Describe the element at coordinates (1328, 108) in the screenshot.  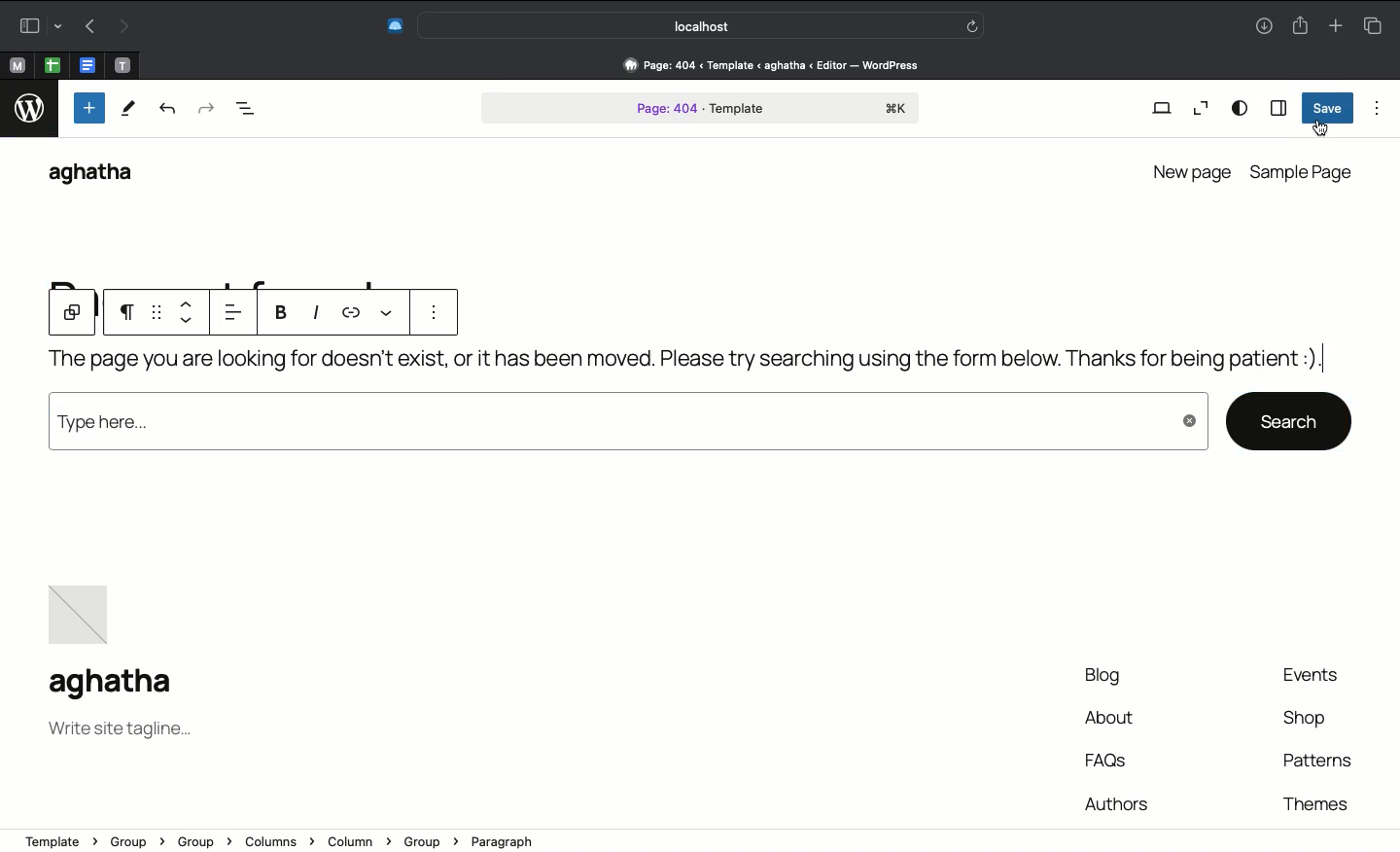
I see `Save` at that location.